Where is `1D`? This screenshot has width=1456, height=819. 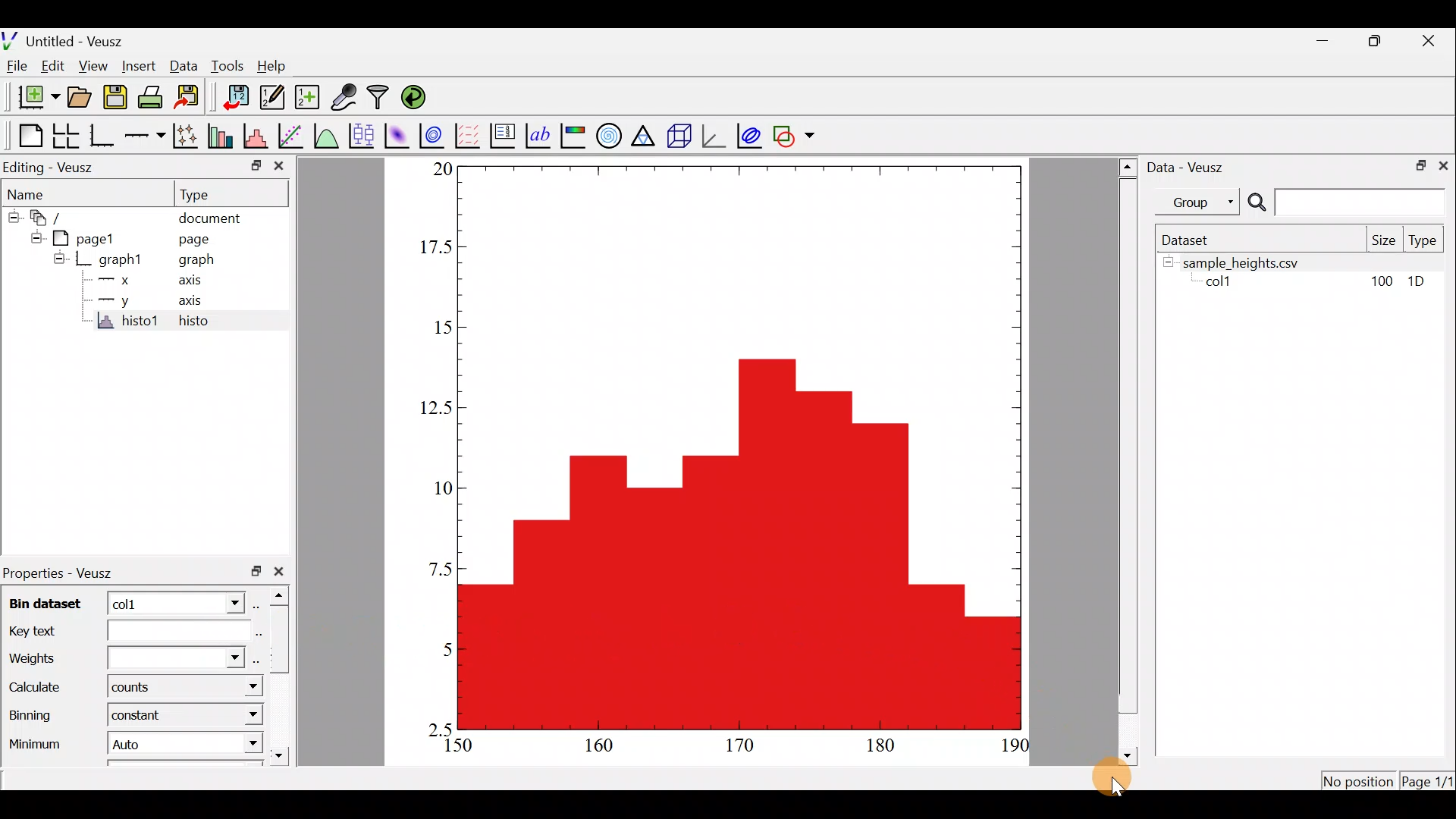 1D is located at coordinates (1418, 284).